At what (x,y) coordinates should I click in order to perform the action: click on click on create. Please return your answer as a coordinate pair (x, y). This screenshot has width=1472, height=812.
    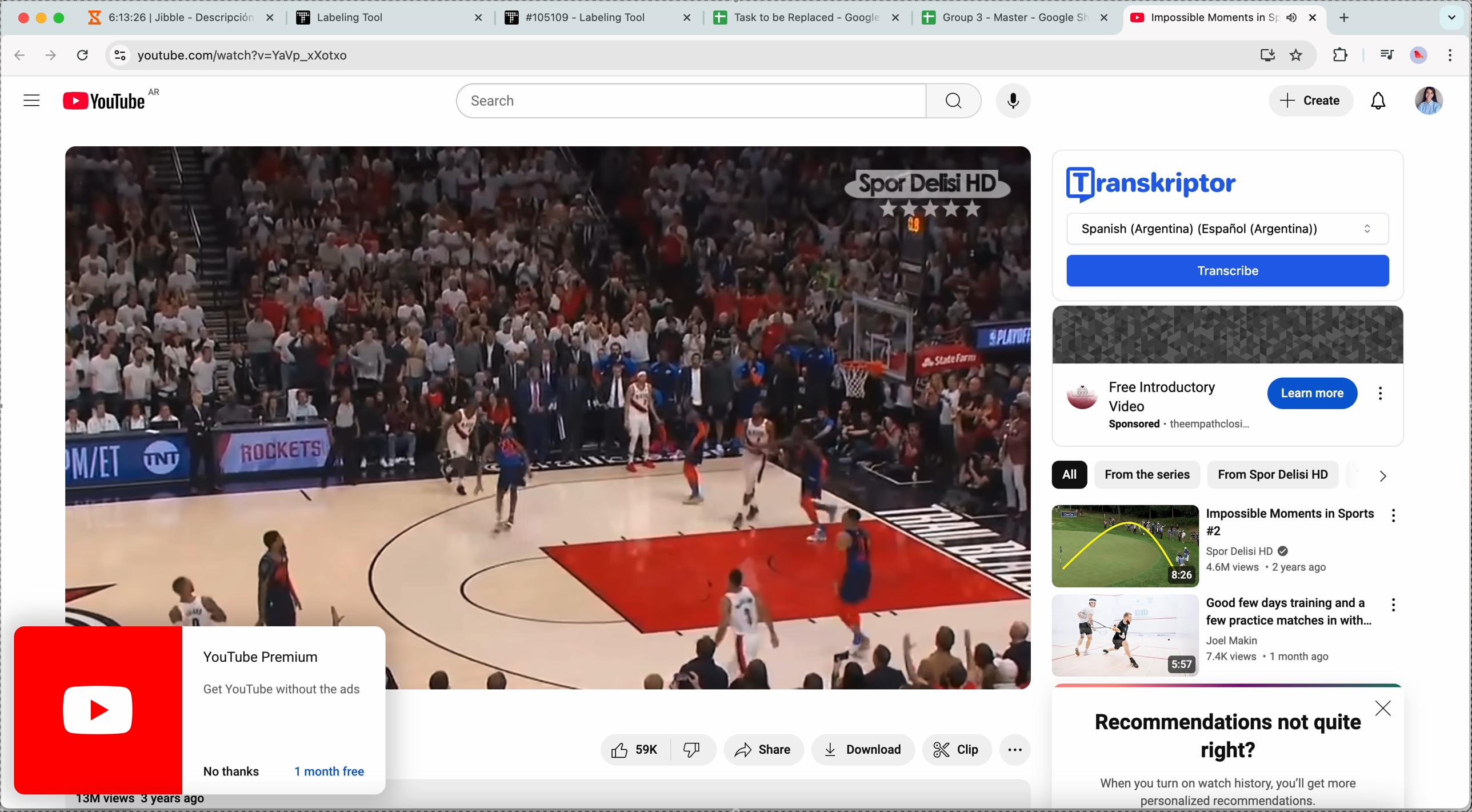
    Looking at the image, I should click on (1307, 101).